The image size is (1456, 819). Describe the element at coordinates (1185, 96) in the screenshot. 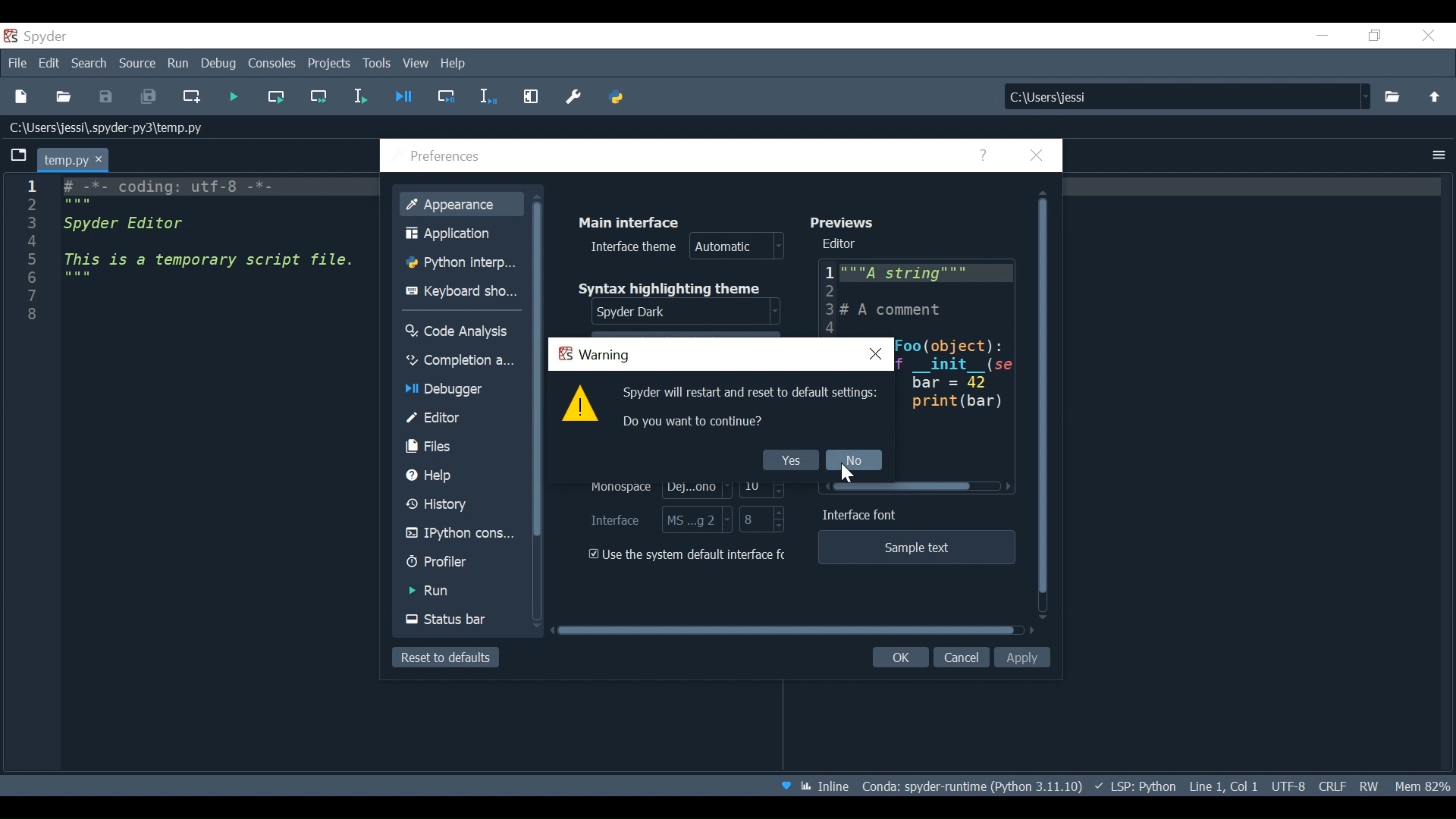

I see `Find in Files` at that location.